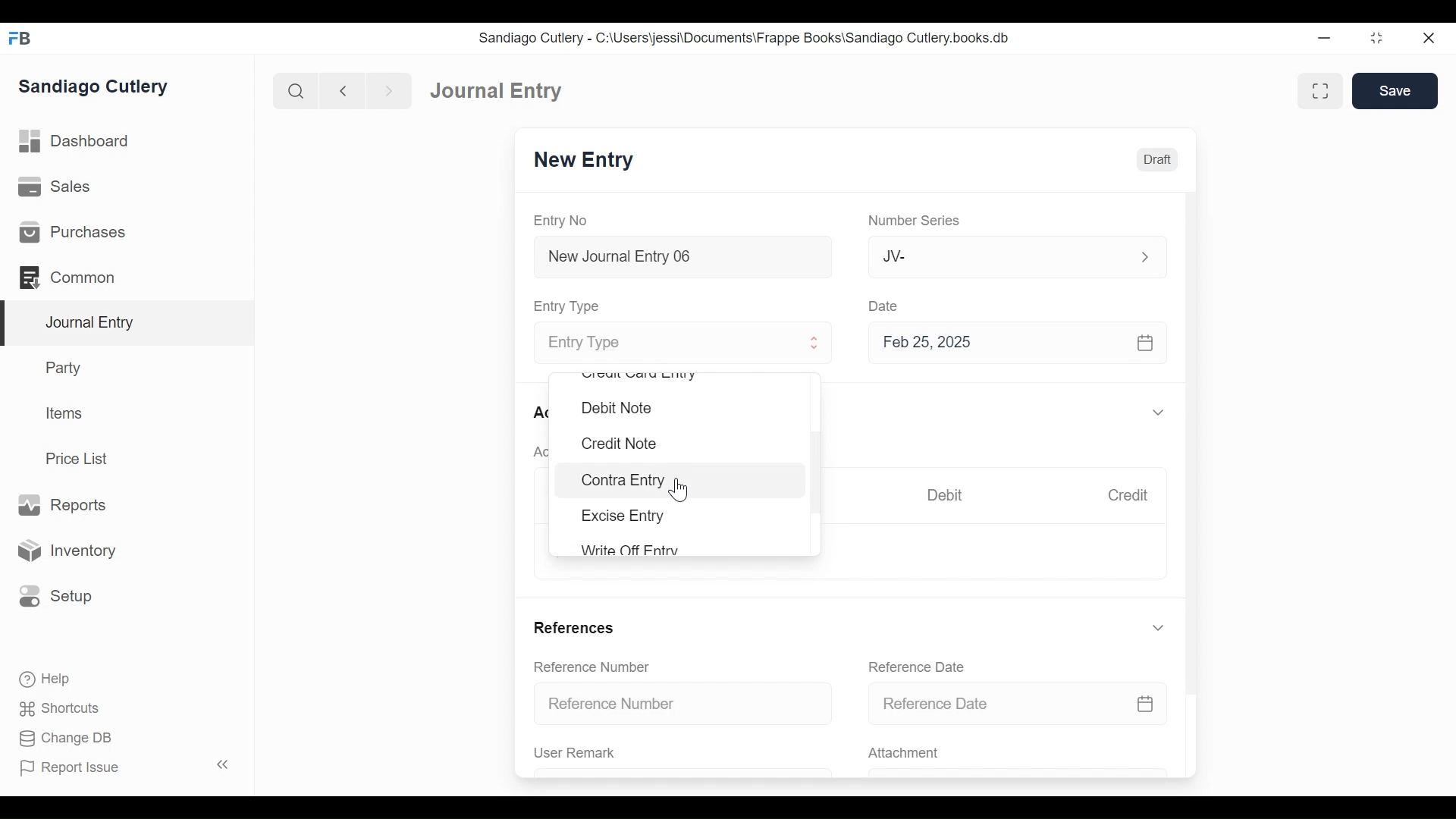 The width and height of the screenshot is (1456, 819). Describe the element at coordinates (999, 255) in the screenshot. I see `JV-` at that location.